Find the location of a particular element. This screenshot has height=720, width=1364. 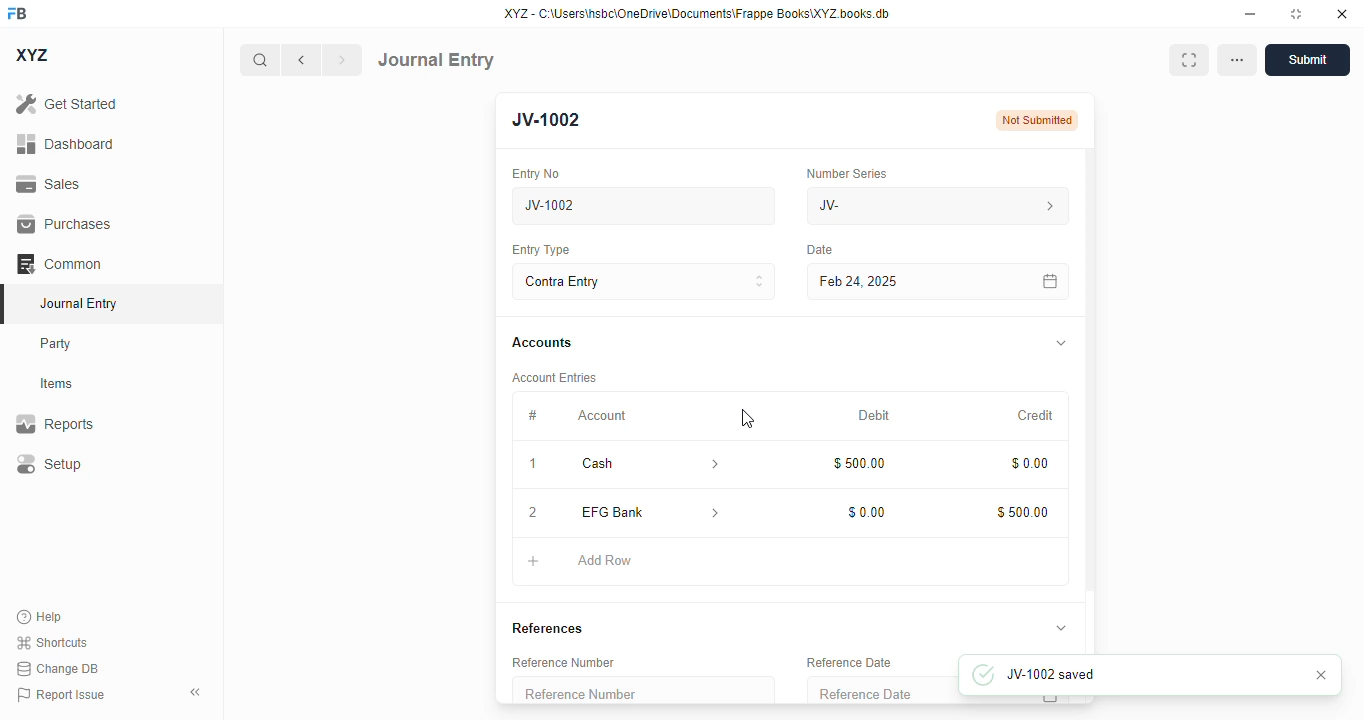

cancel is located at coordinates (1323, 675).